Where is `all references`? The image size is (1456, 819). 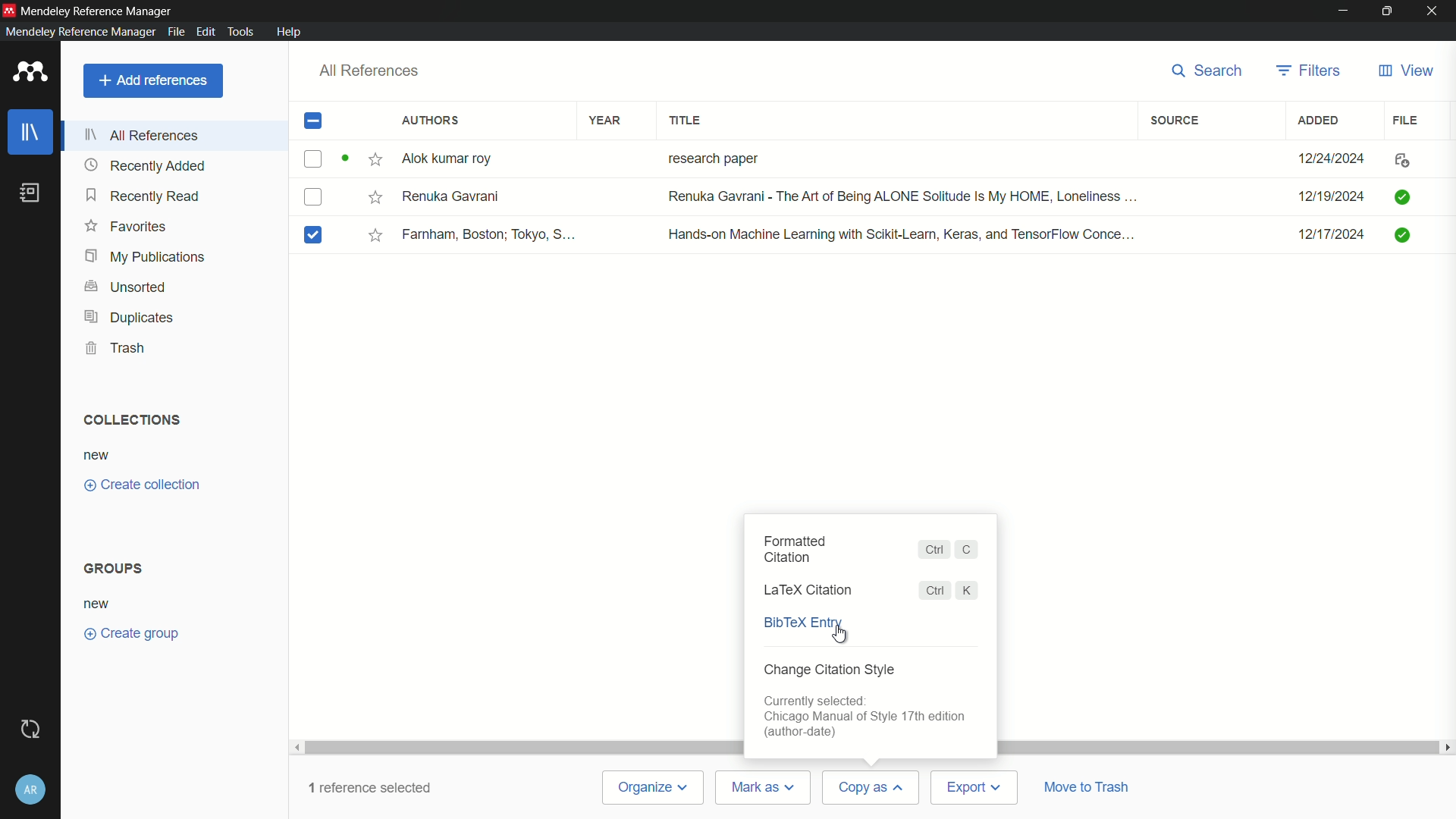 all references is located at coordinates (370, 70).